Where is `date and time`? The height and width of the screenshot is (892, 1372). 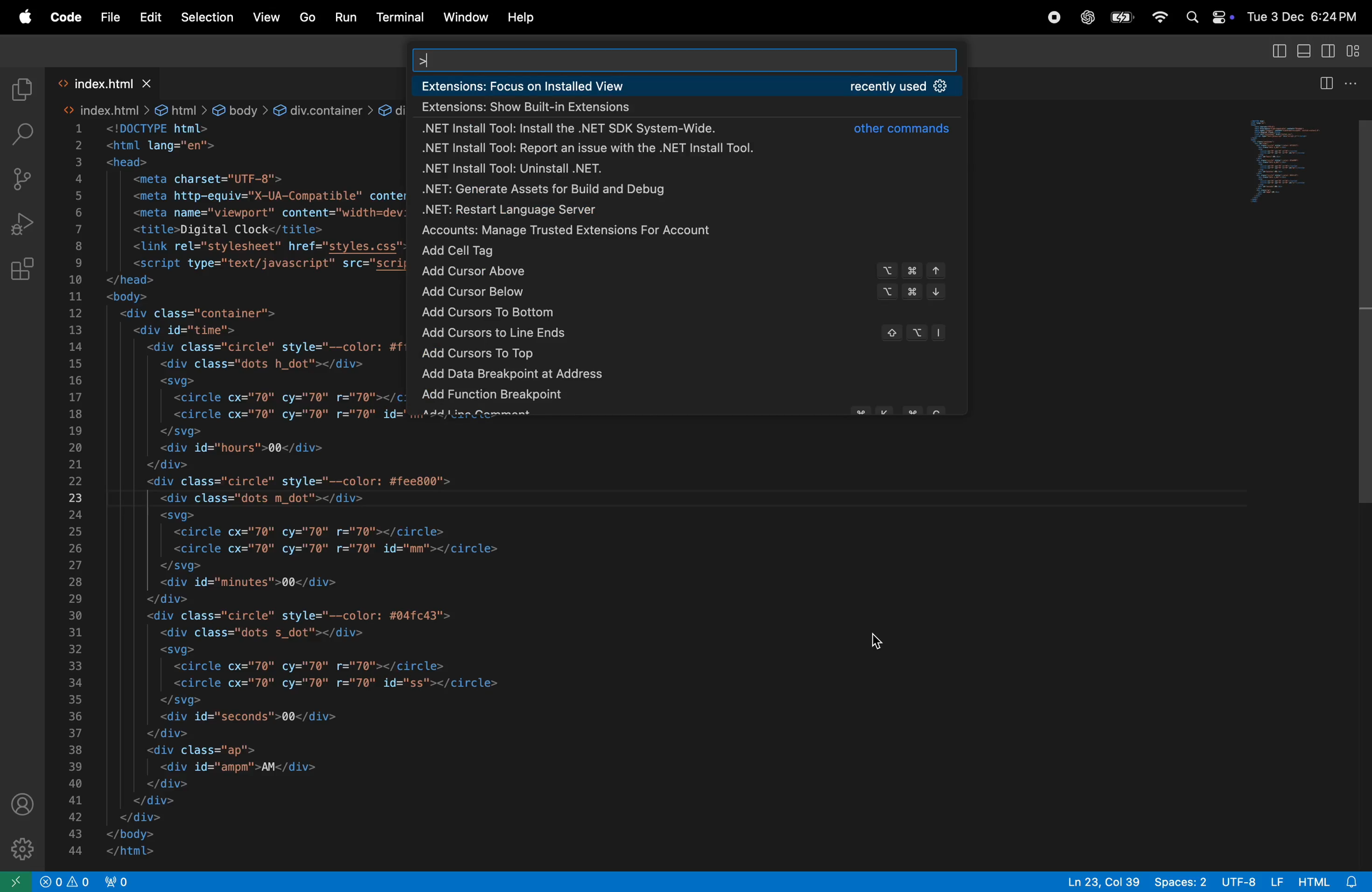
date and time is located at coordinates (1303, 14).